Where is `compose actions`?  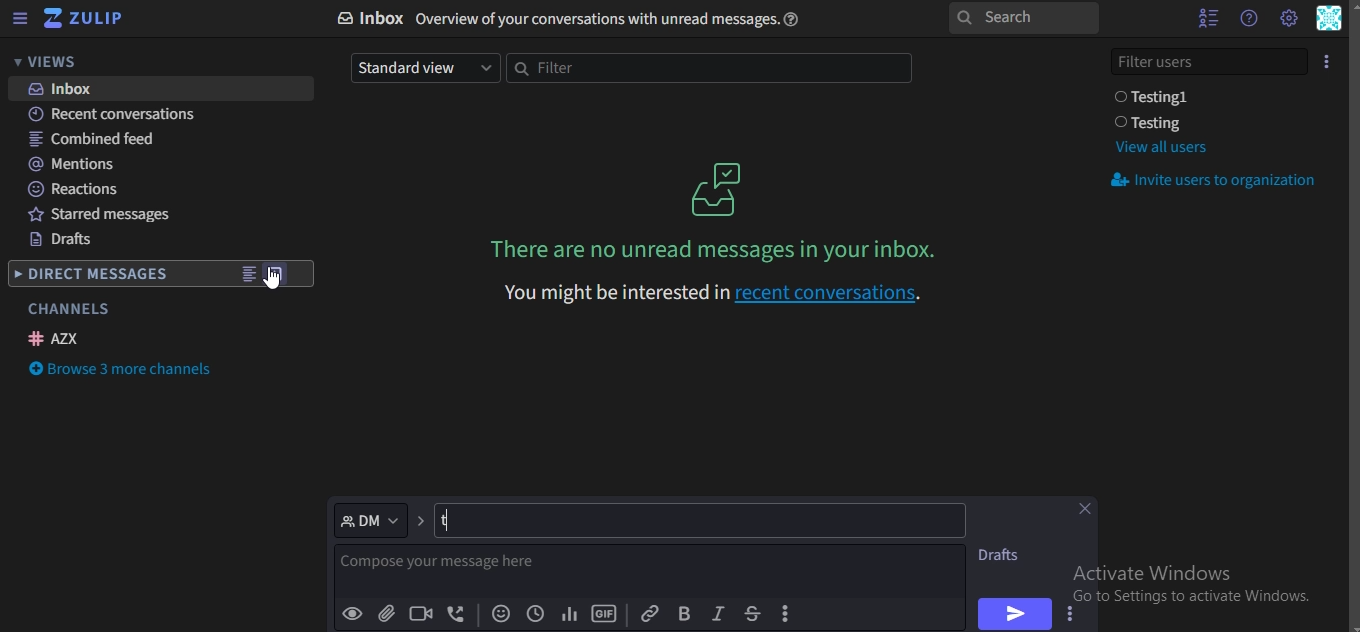 compose actions is located at coordinates (788, 614).